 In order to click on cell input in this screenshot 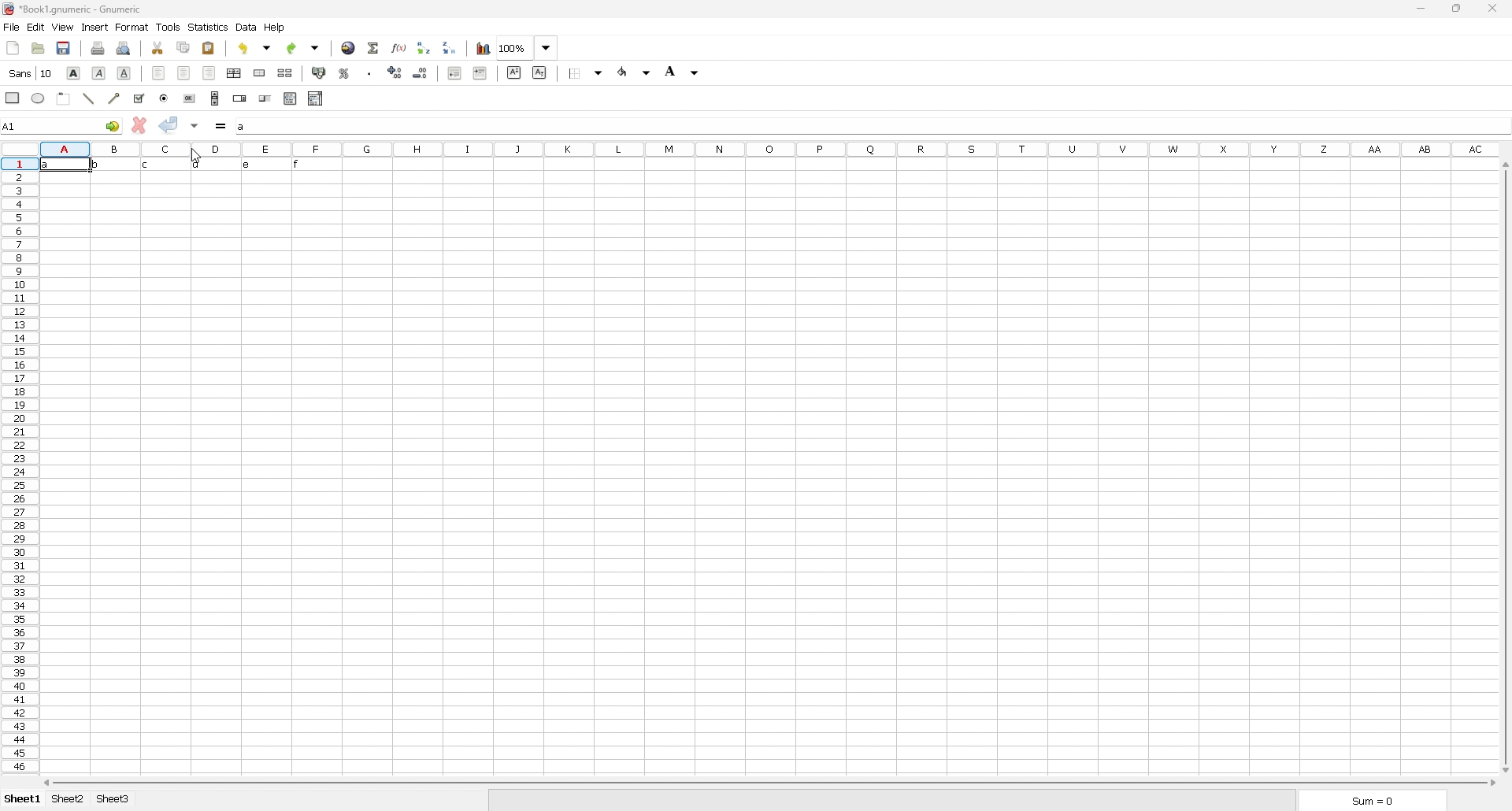, I will do `click(871, 126)`.